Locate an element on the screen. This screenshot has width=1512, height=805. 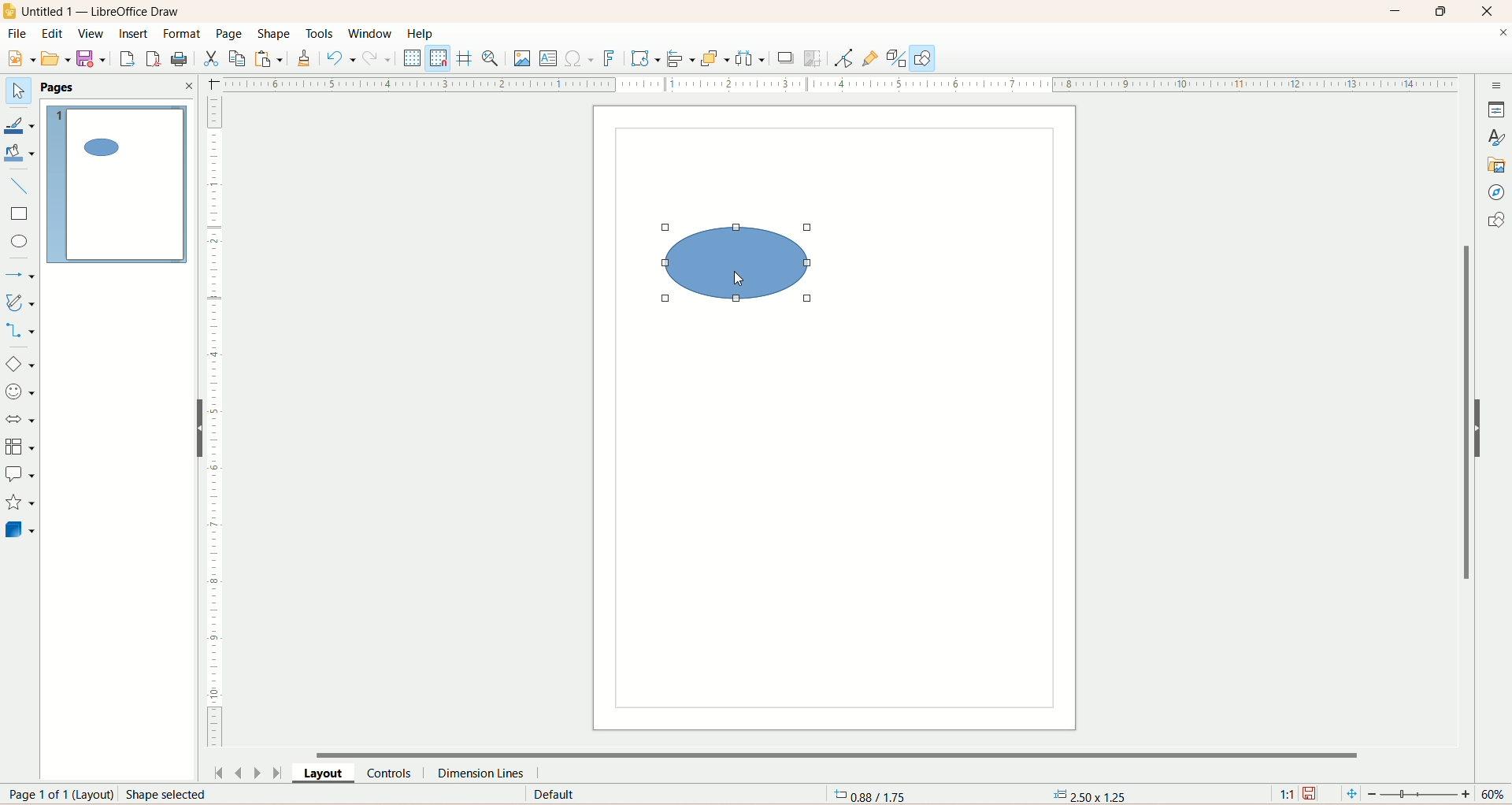
clone formatting is located at coordinates (308, 58).